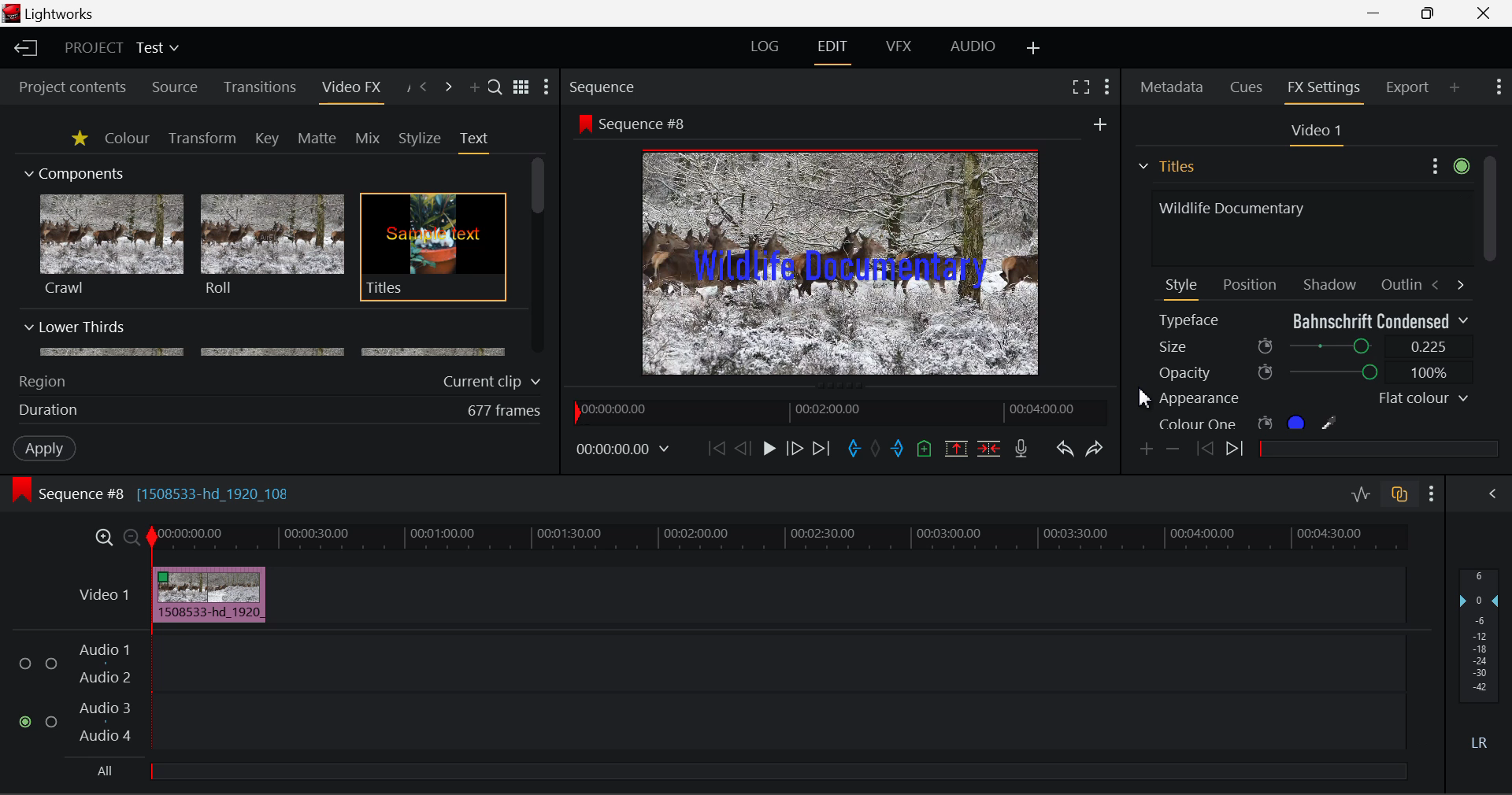 This screenshot has width=1512, height=795. What do you see at coordinates (899, 450) in the screenshot?
I see `Mark Out` at bounding box center [899, 450].